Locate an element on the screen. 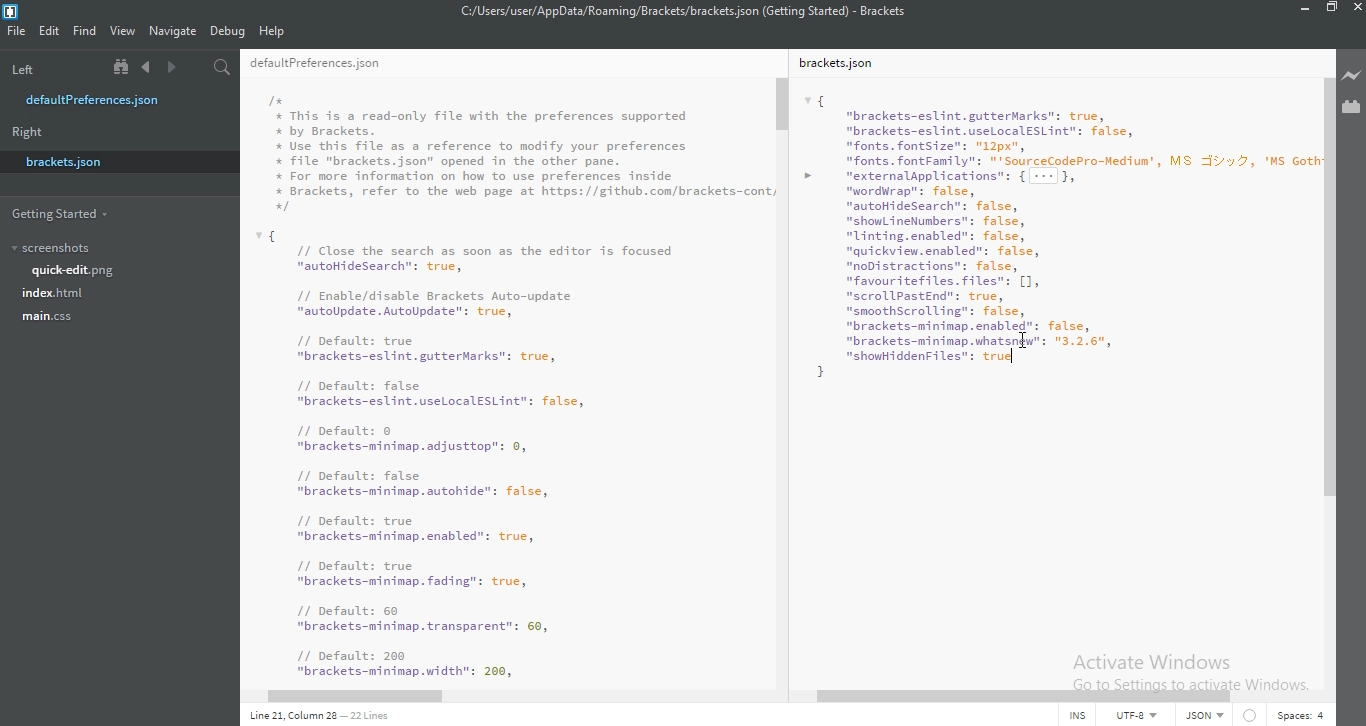 Image resolution: width=1366 pixels, height=726 pixels. Edit is located at coordinates (51, 30).